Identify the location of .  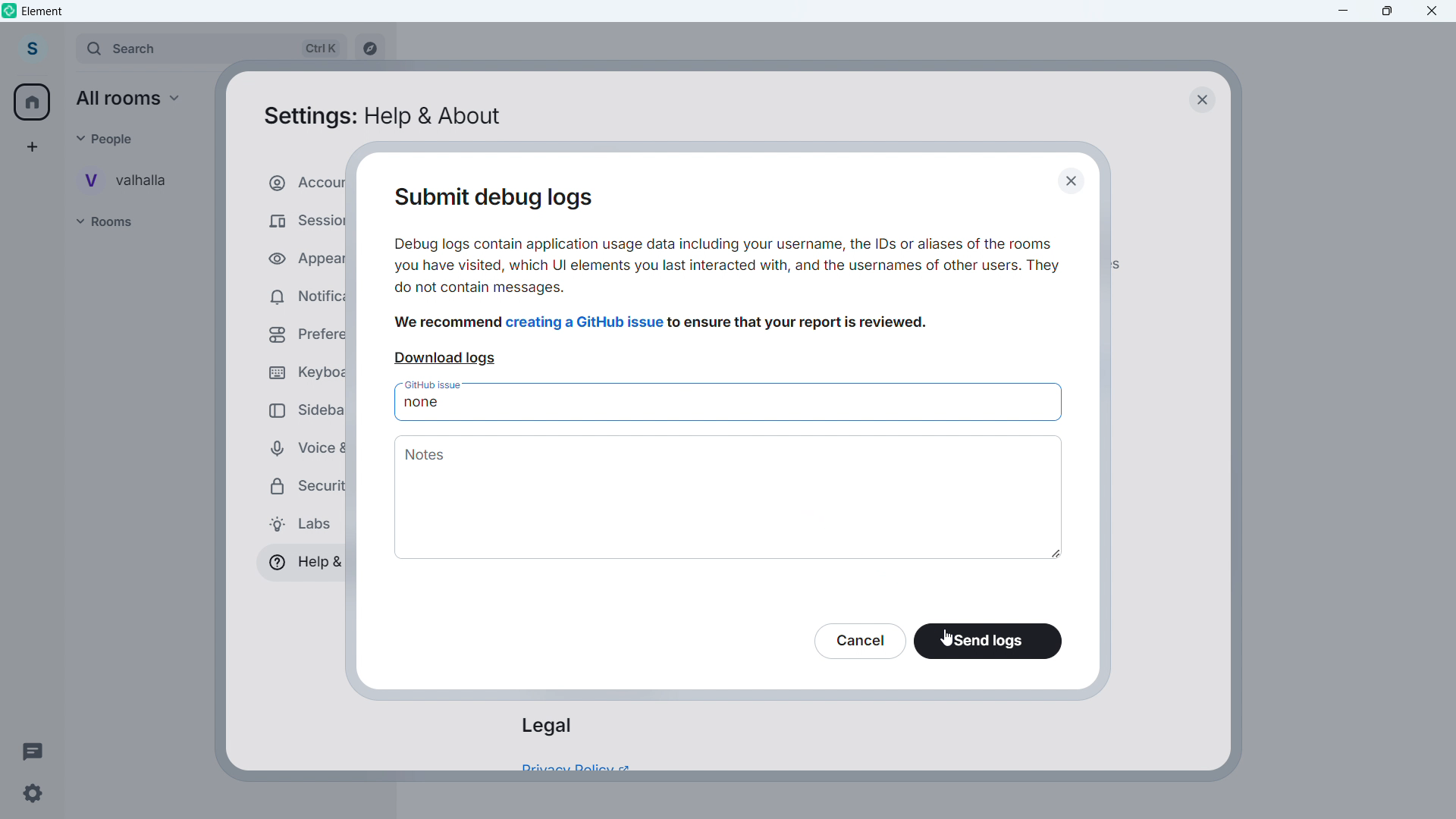
(111, 138).